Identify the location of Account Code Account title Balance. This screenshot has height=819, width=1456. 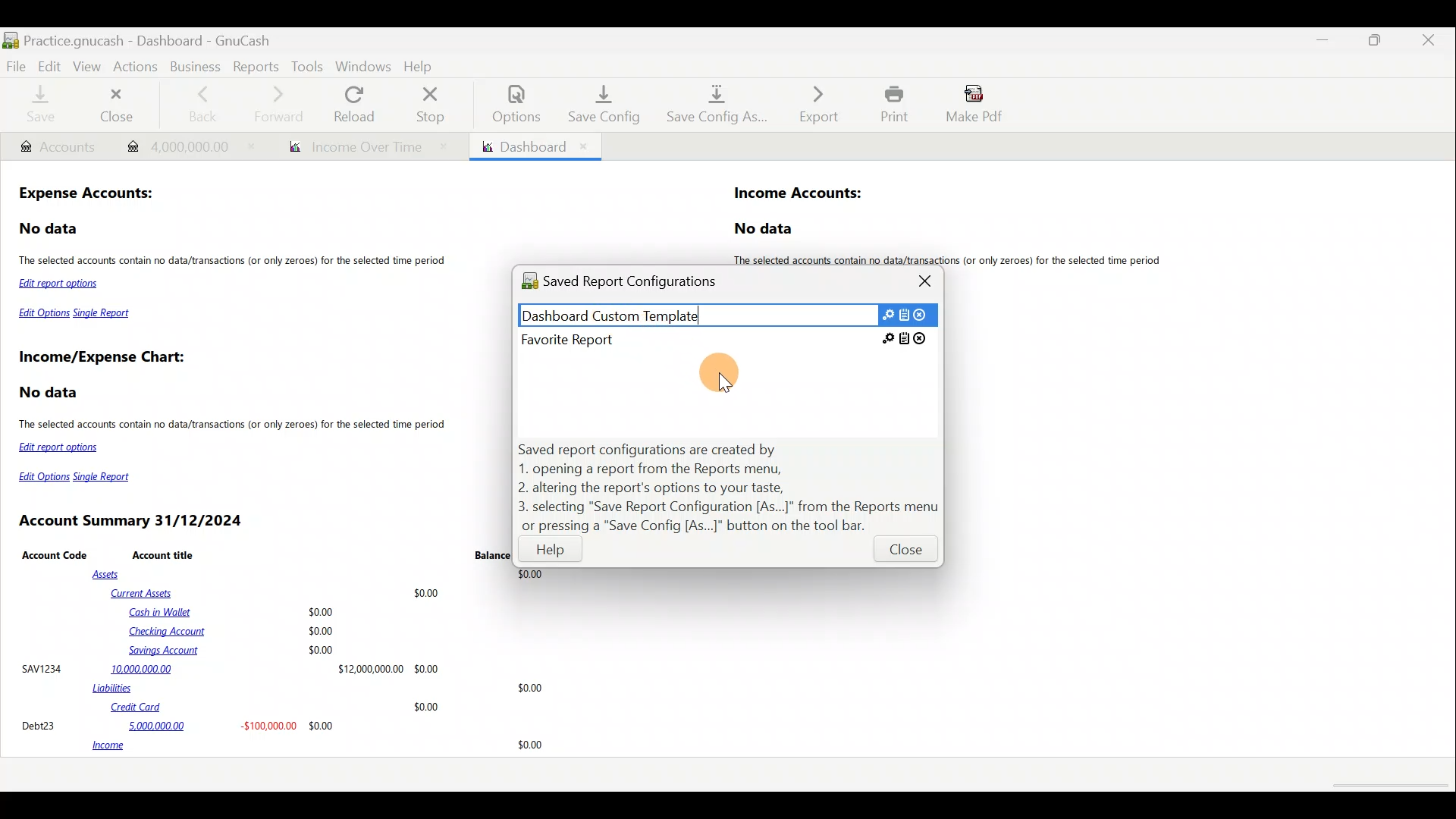
(266, 554).